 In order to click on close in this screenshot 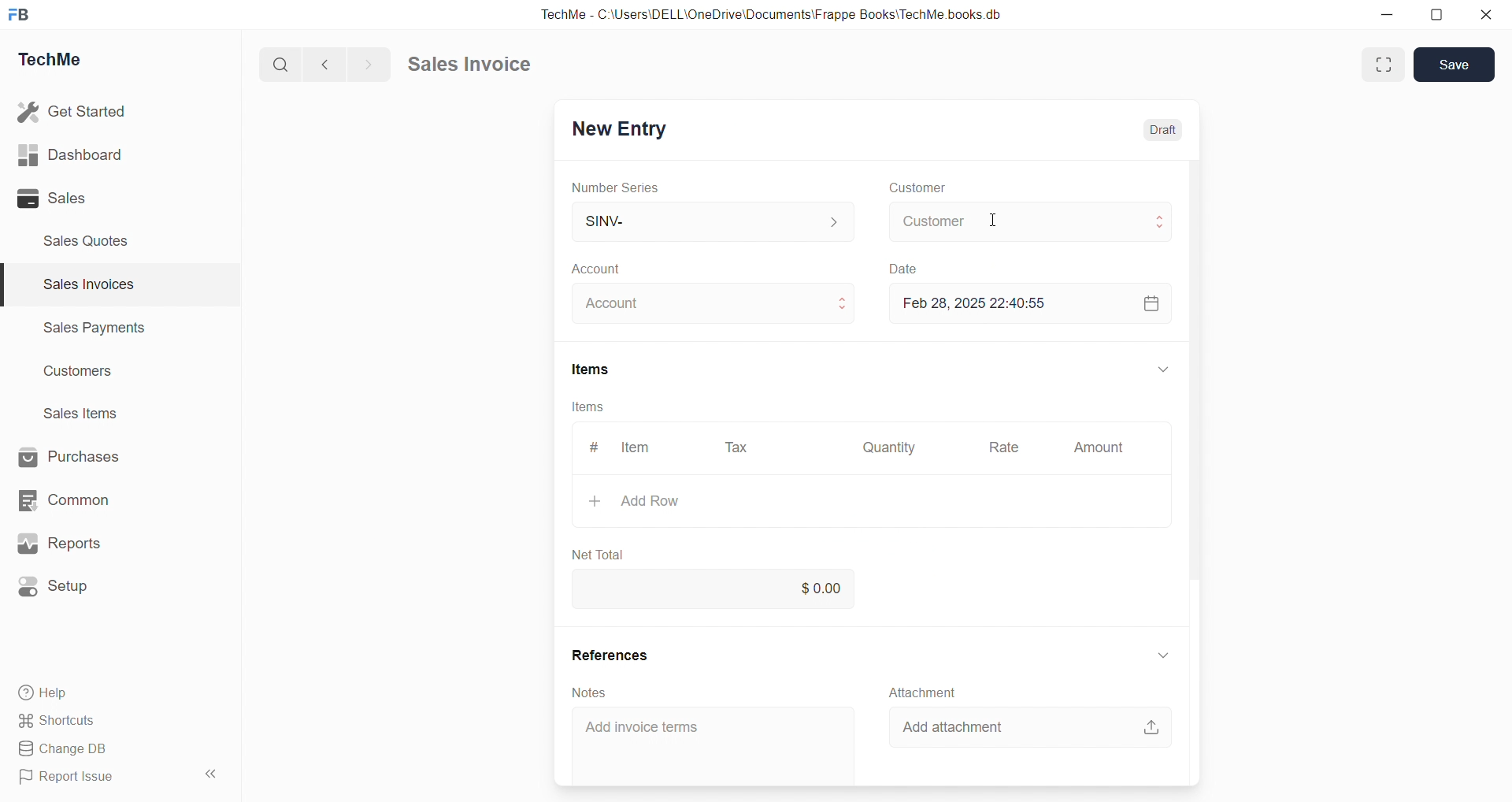, I will do `click(1487, 14)`.